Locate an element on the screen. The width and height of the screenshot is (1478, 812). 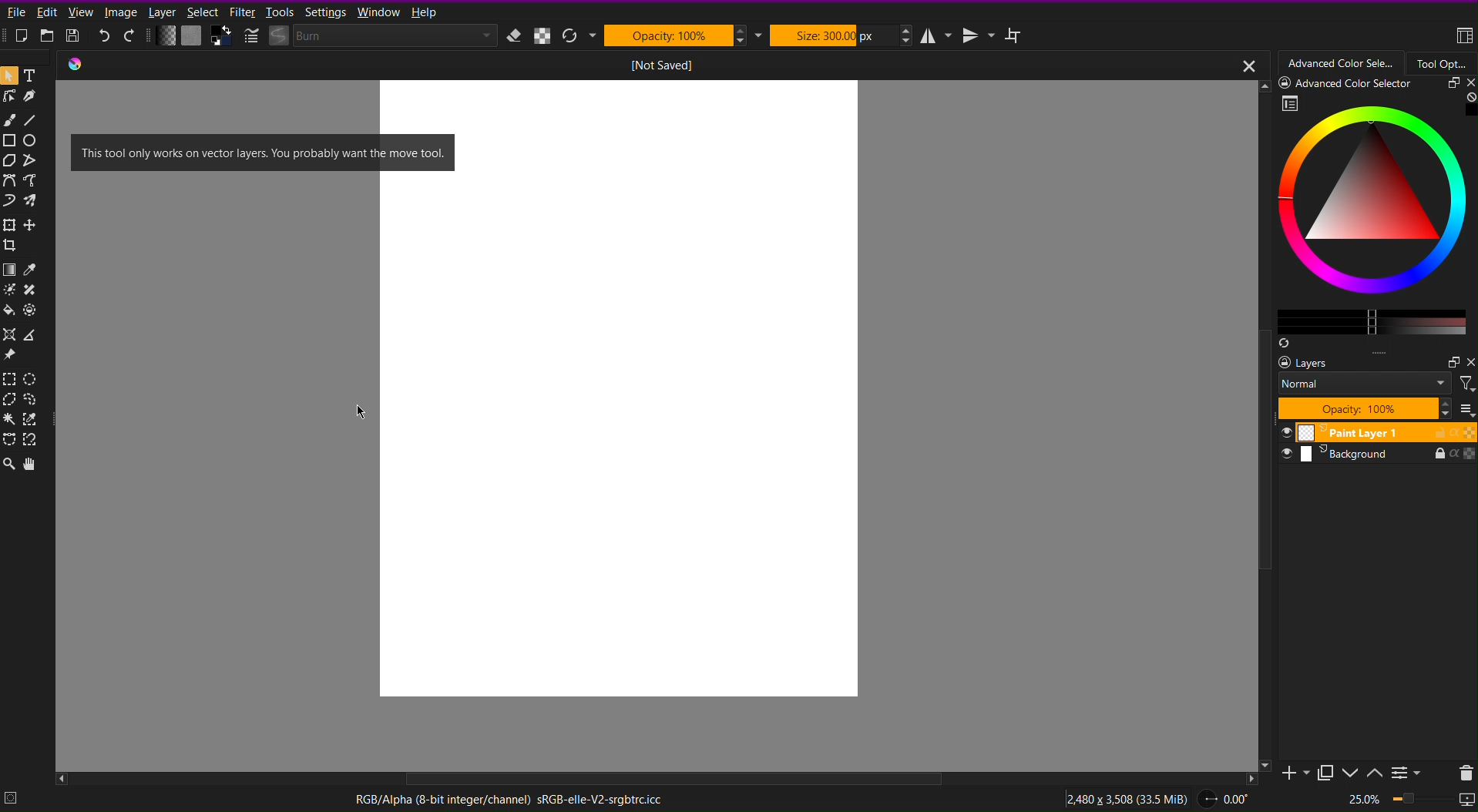
Current Document is located at coordinates (661, 66).